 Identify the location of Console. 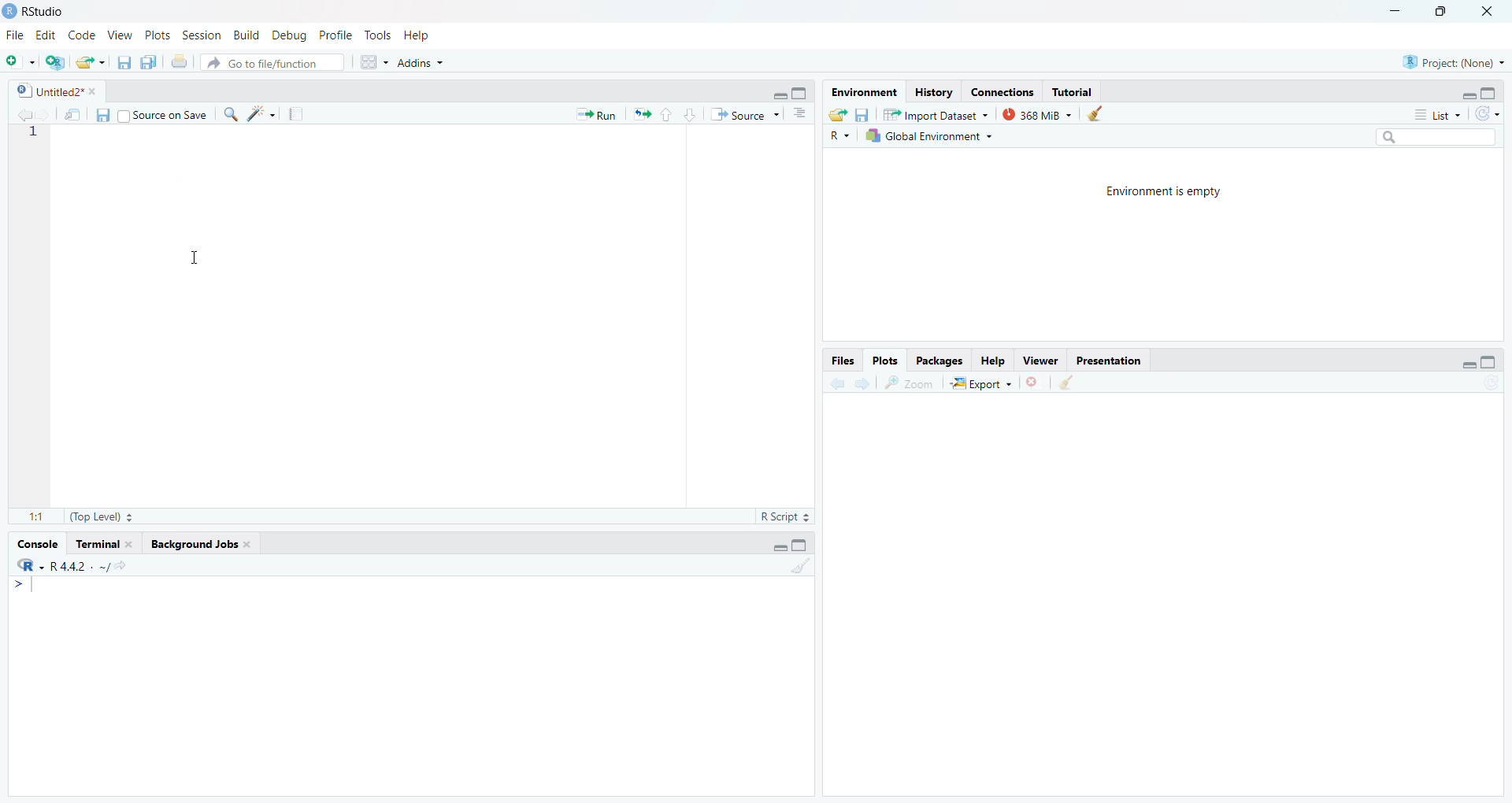
(35, 542).